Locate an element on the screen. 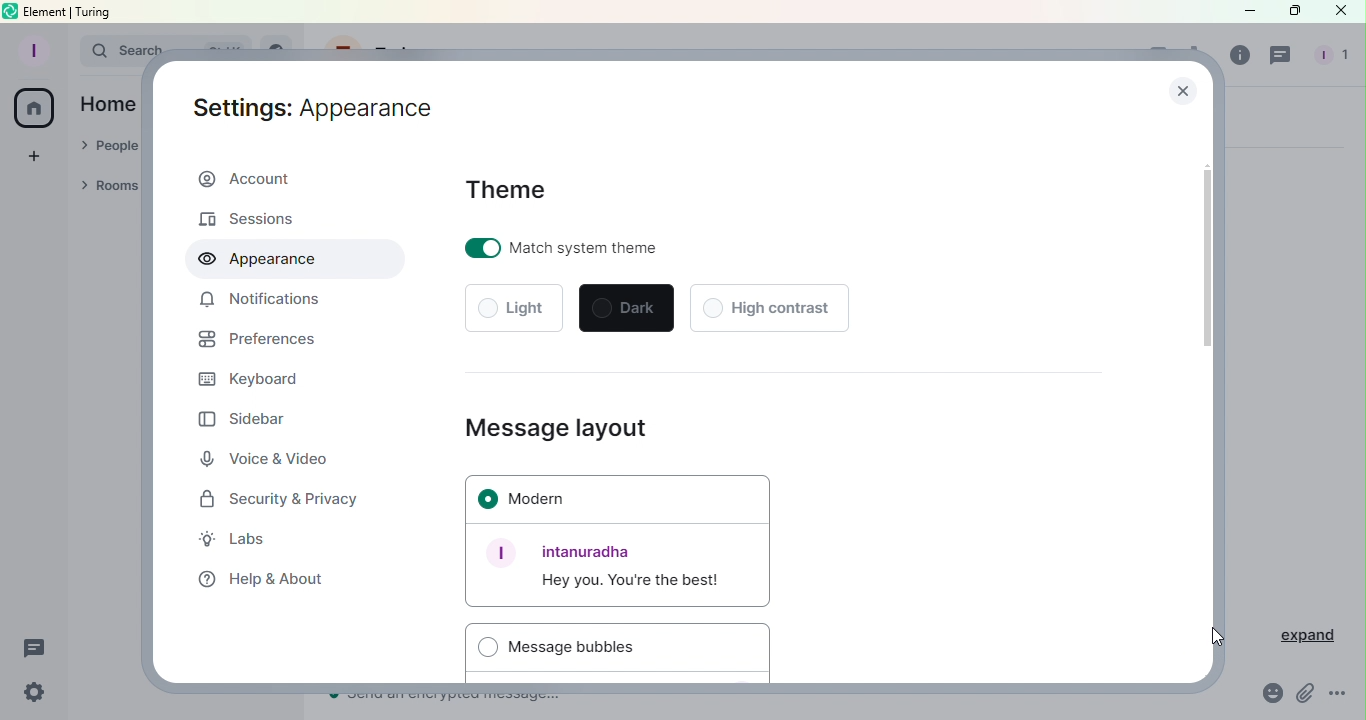 The width and height of the screenshot is (1366, 720). Close is located at coordinates (1184, 95).